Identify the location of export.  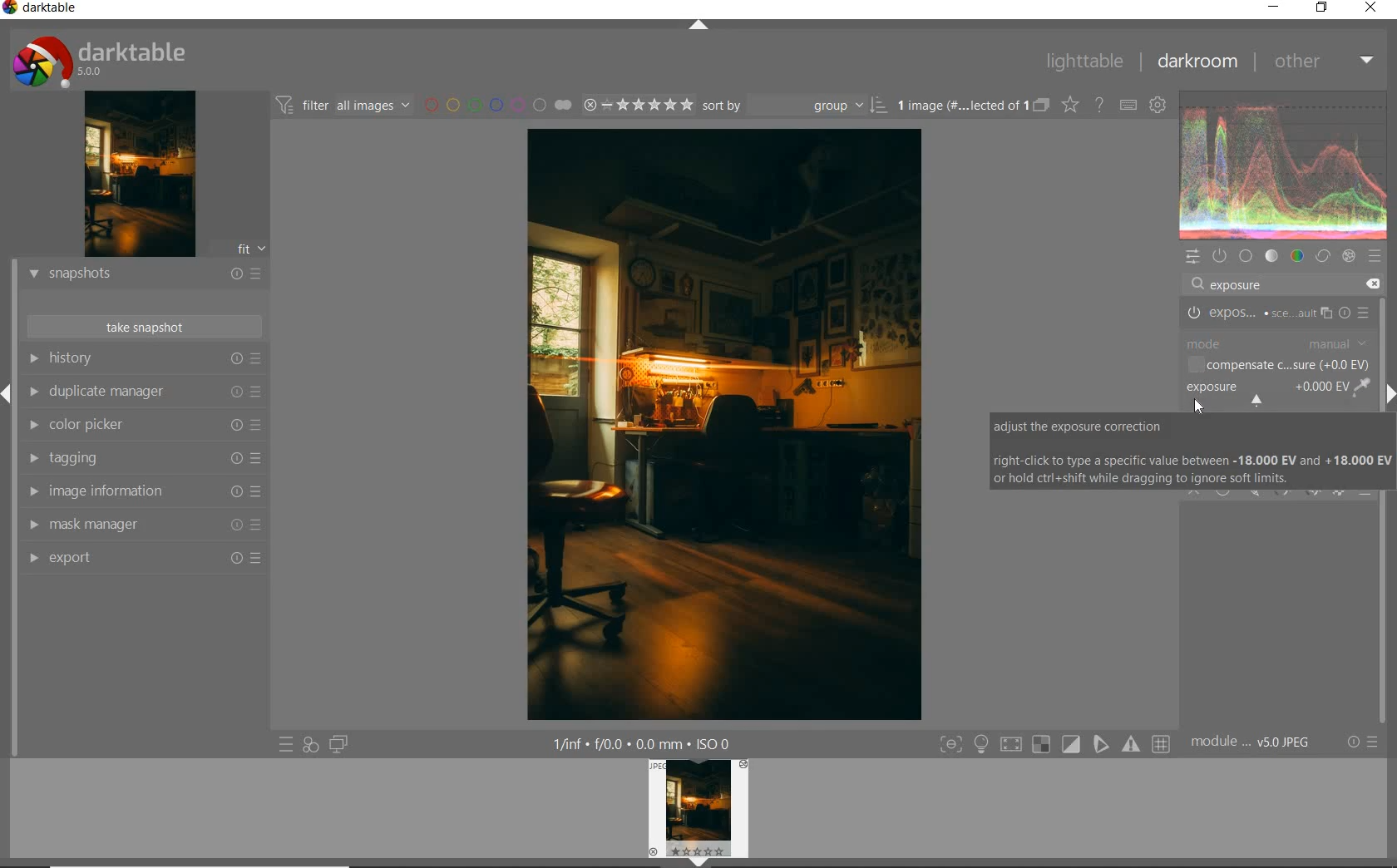
(142, 560).